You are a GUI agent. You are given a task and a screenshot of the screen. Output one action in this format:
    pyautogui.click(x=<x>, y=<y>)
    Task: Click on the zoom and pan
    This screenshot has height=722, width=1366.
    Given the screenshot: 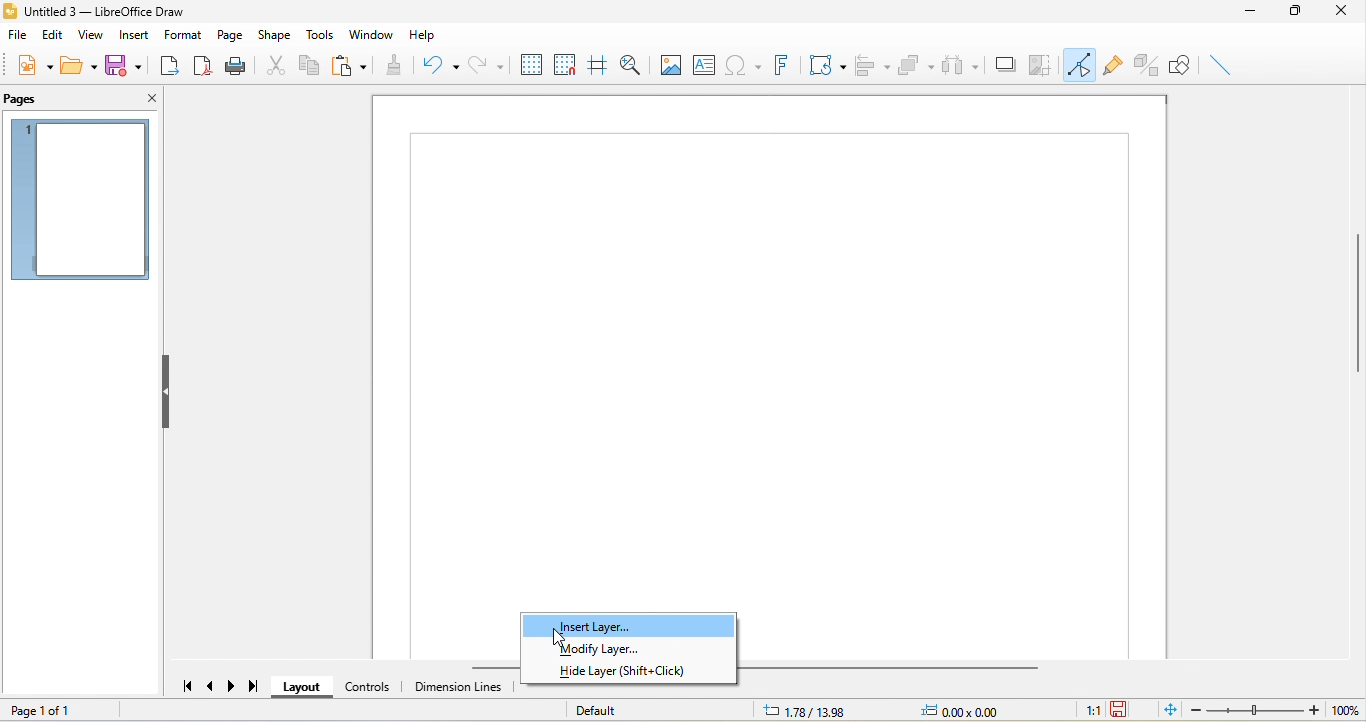 What is the action you would take?
    pyautogui.click(x=632, y=65)
    